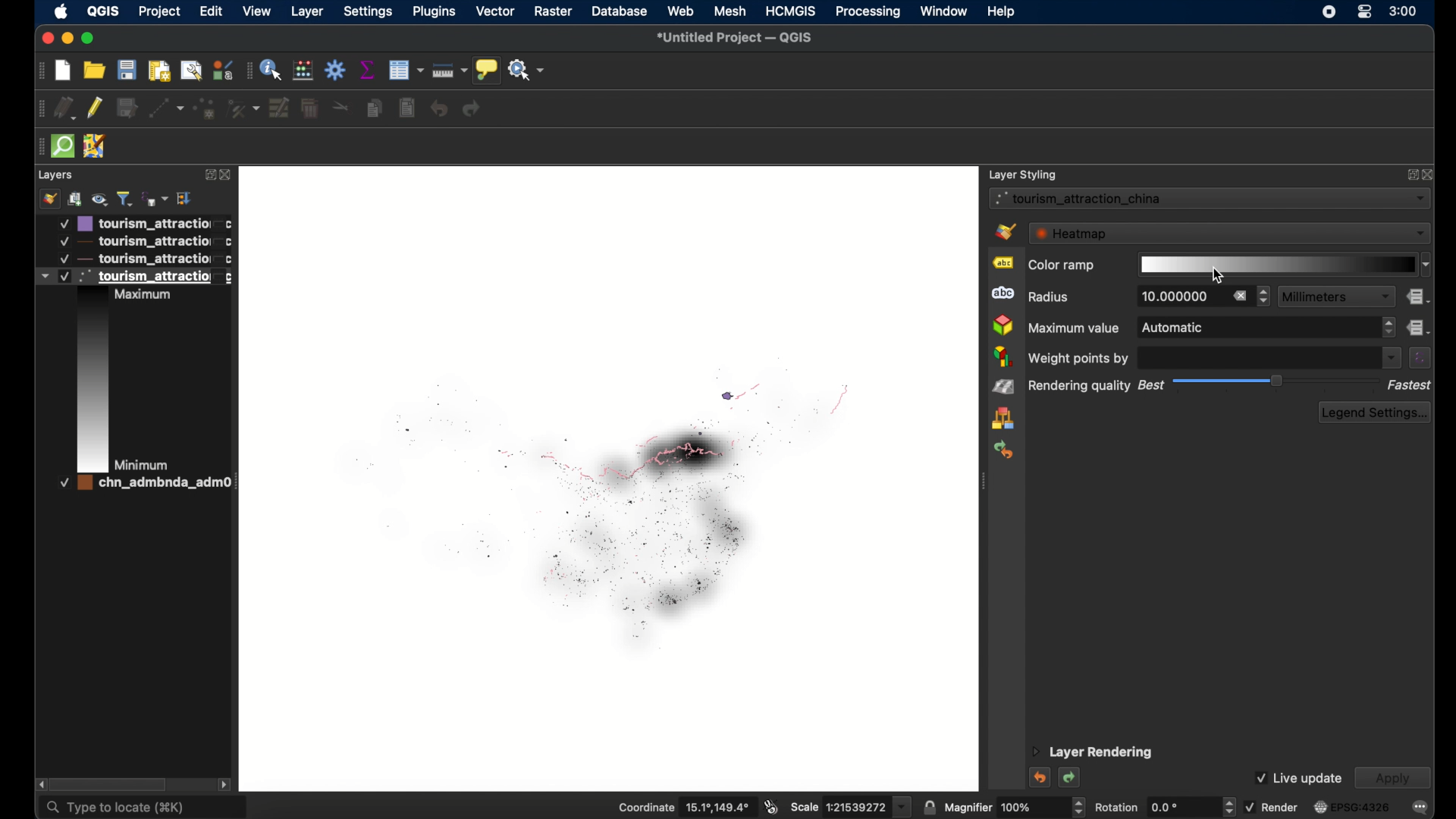  What do you see at coordinates (620, 11) in the screenshot?
I see `database` at bounding box center [620, 11].